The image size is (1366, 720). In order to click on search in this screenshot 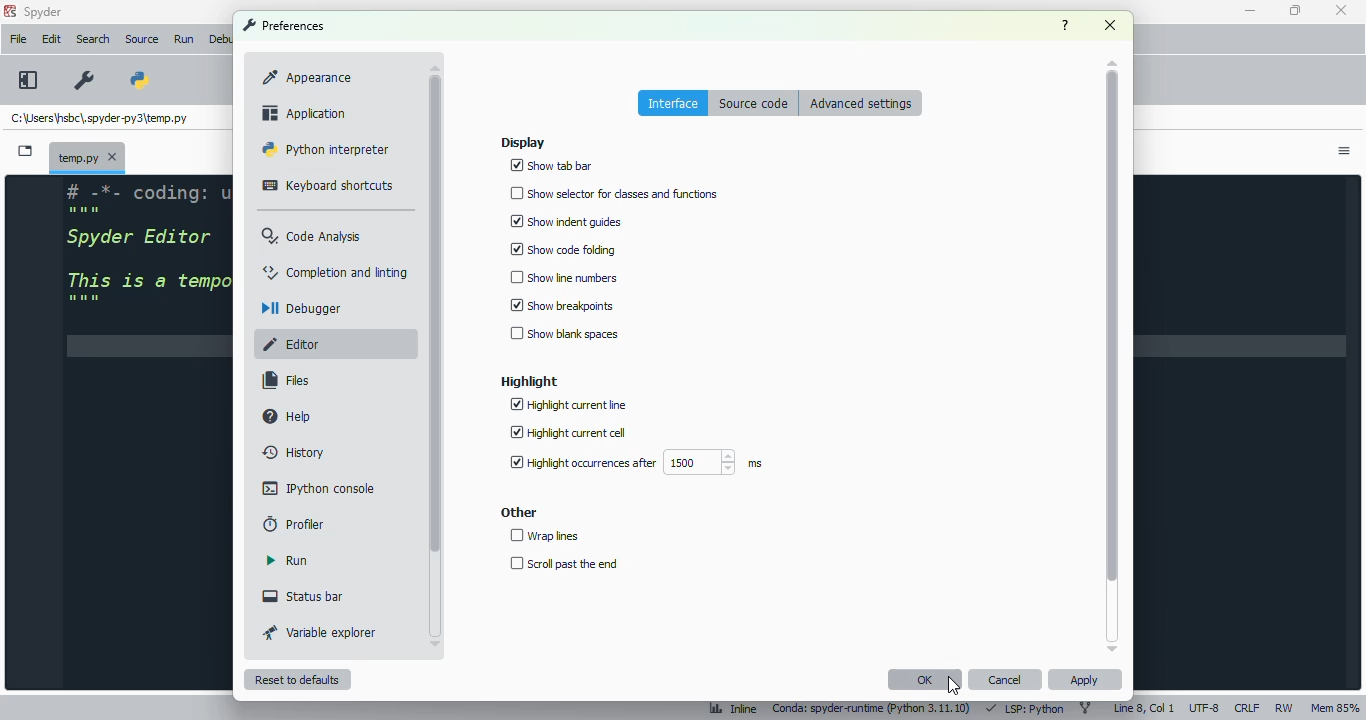, I will do `click(93, 39)`.